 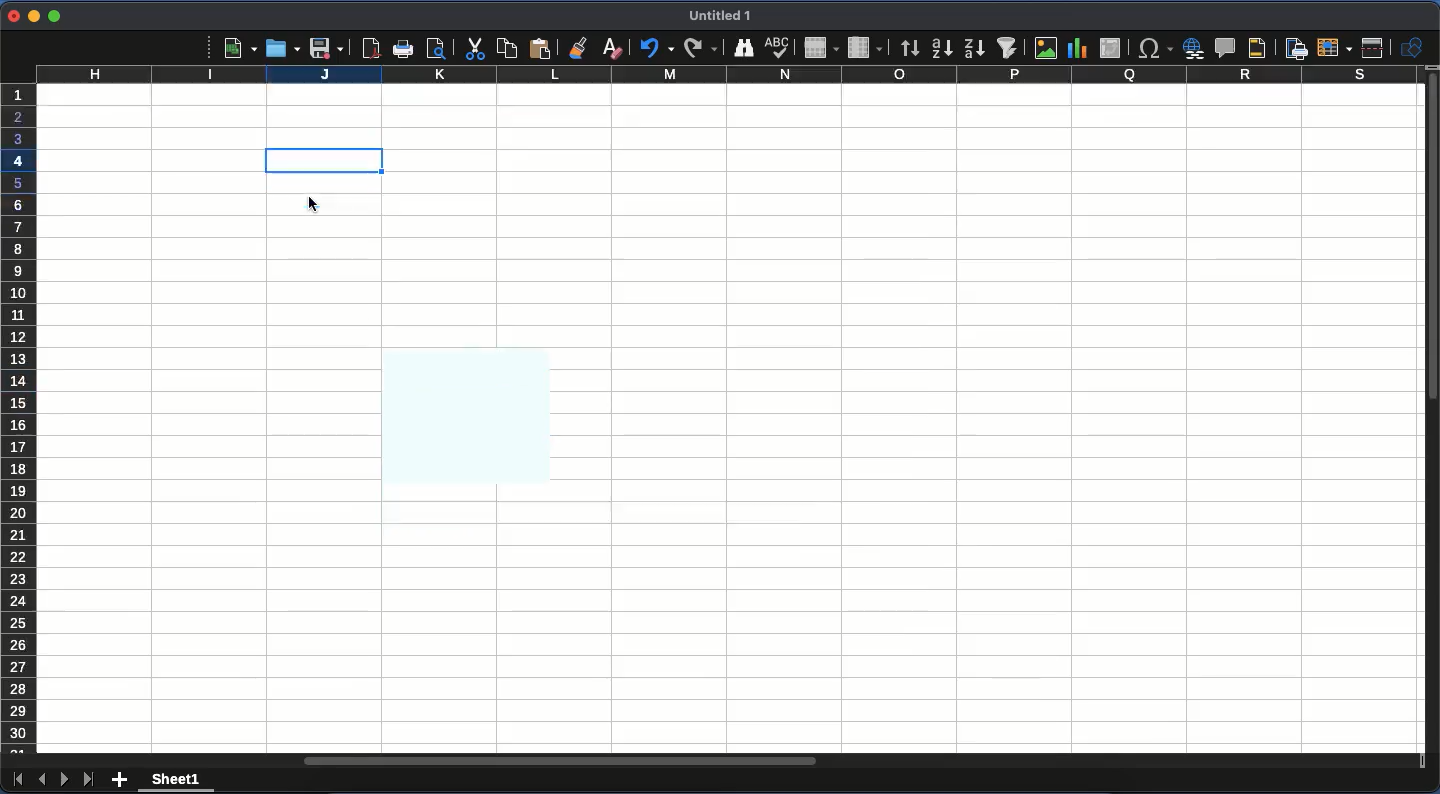 What do you see at coordinates (17, 783) in the screenshot?
I see `first sheet` at bounding box center [17, 783].